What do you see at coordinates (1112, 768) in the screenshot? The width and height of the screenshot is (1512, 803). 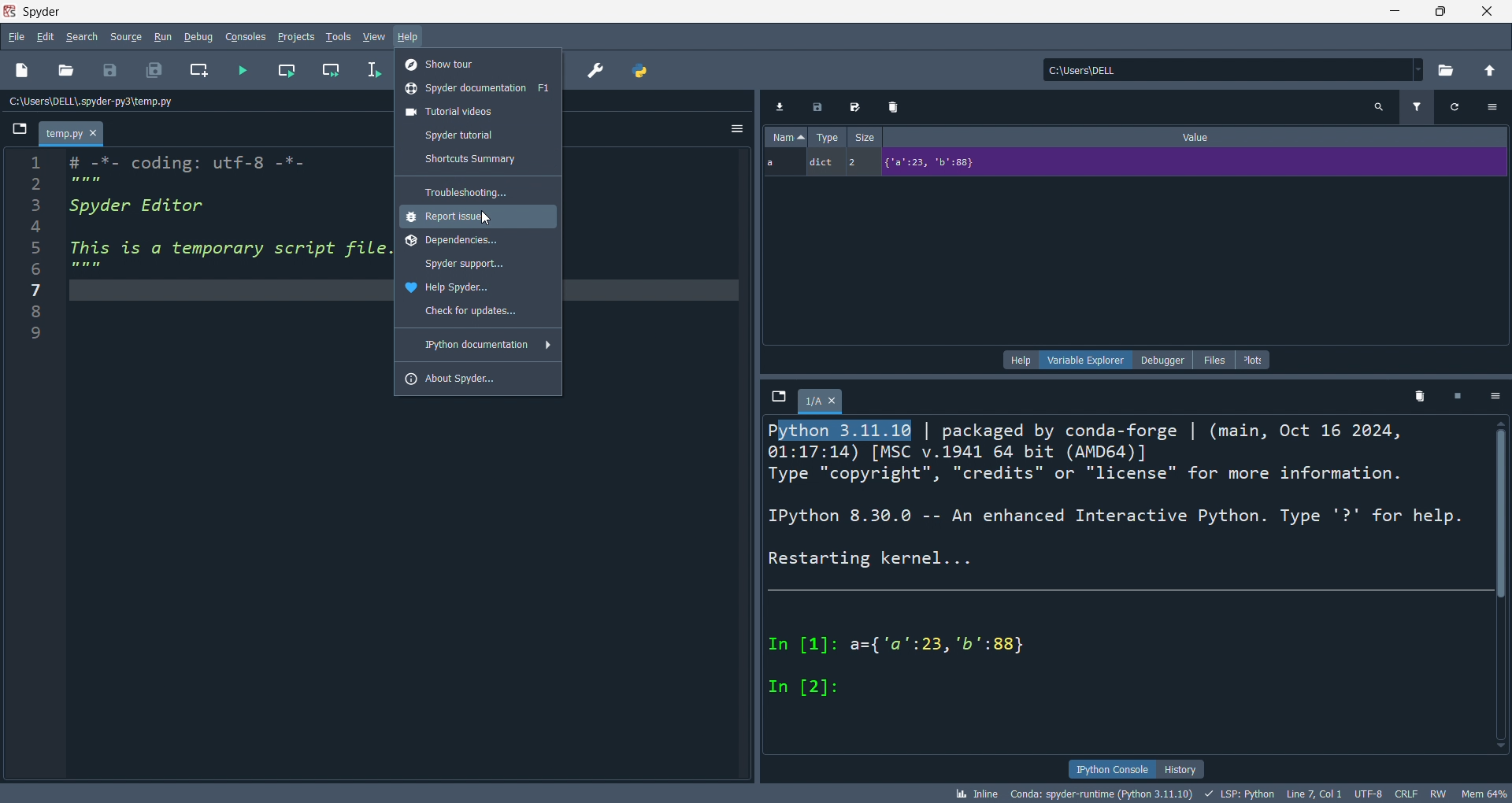 I see `ipython console` at bounding box center [1112, 768].